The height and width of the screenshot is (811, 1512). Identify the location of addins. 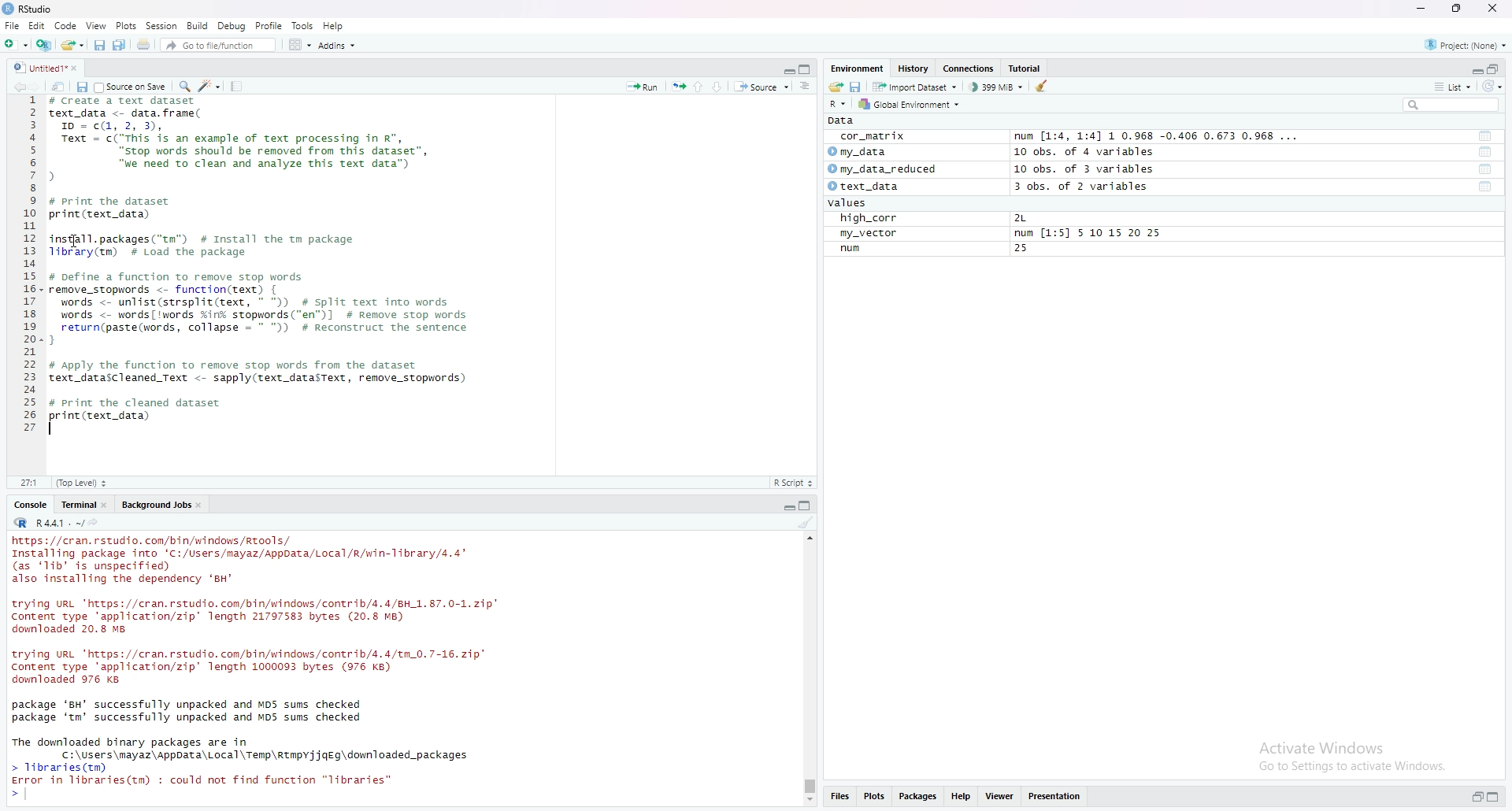
(339, 46).